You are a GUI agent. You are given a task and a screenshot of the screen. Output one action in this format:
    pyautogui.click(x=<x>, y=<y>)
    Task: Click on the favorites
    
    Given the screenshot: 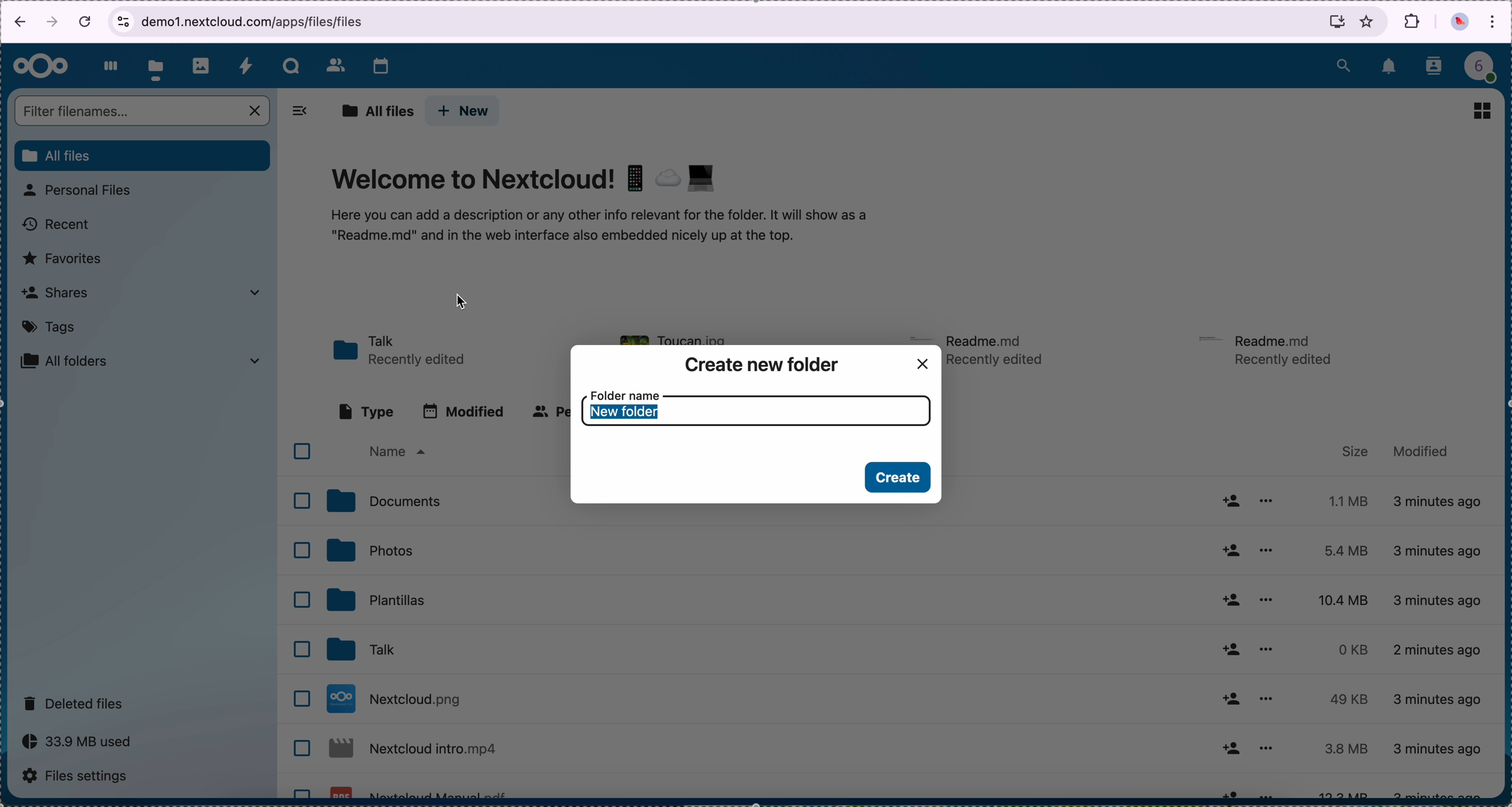 What is the action you would take?
    pyautogui.click(x=1368, y=21)
    